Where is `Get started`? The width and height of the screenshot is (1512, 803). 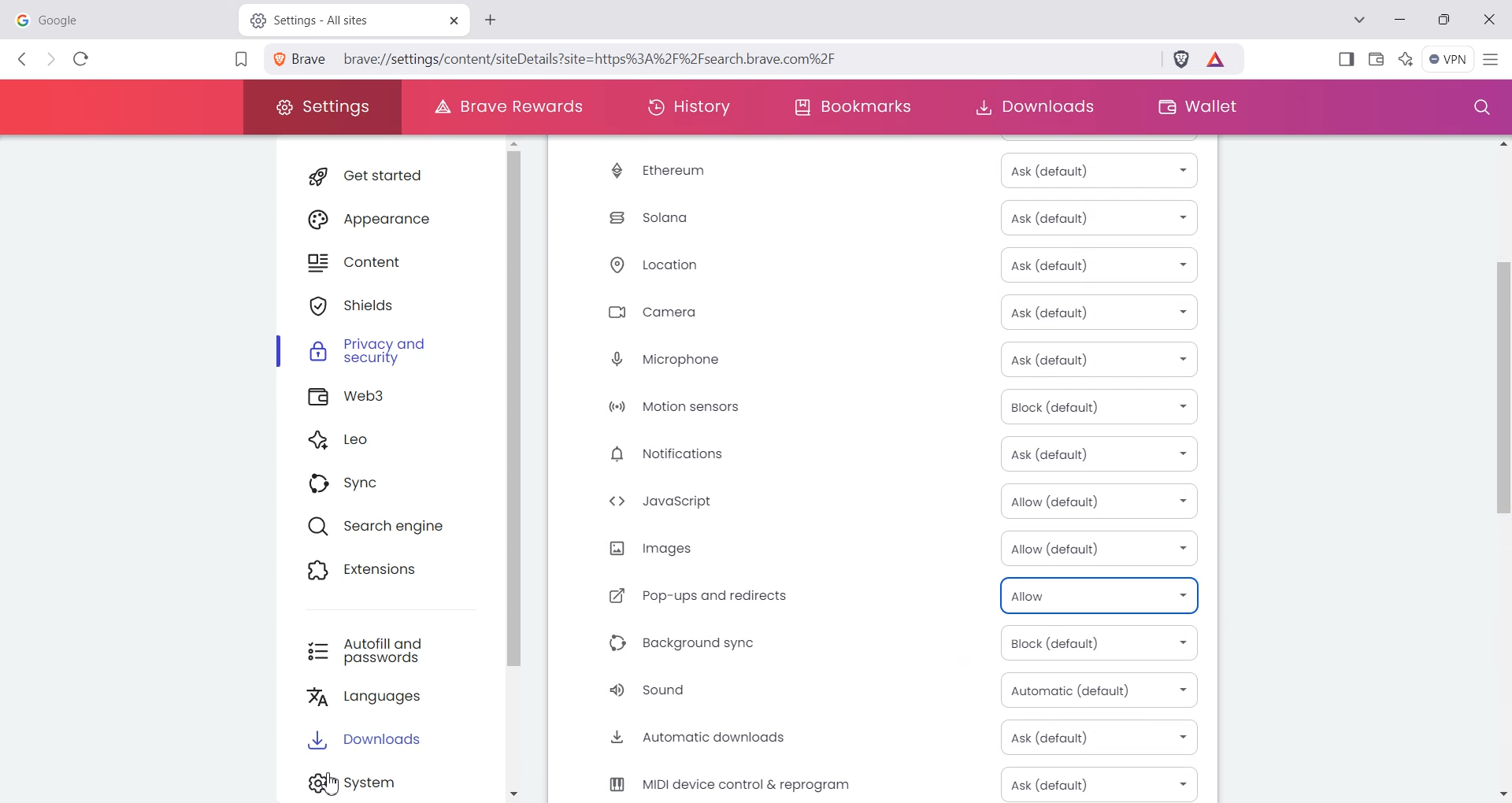 Get started is located at coordinates (387, 176).